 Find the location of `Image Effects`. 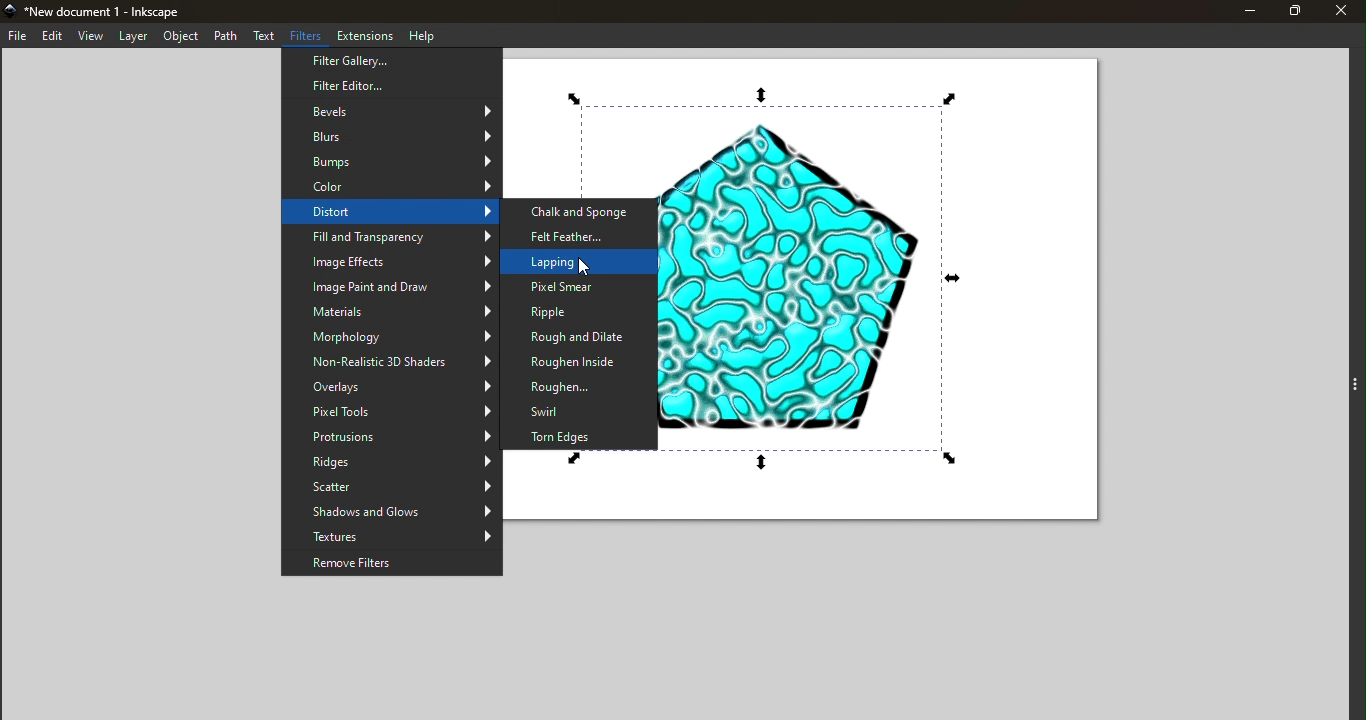

Image Effects is located at coordinates (392, 262).